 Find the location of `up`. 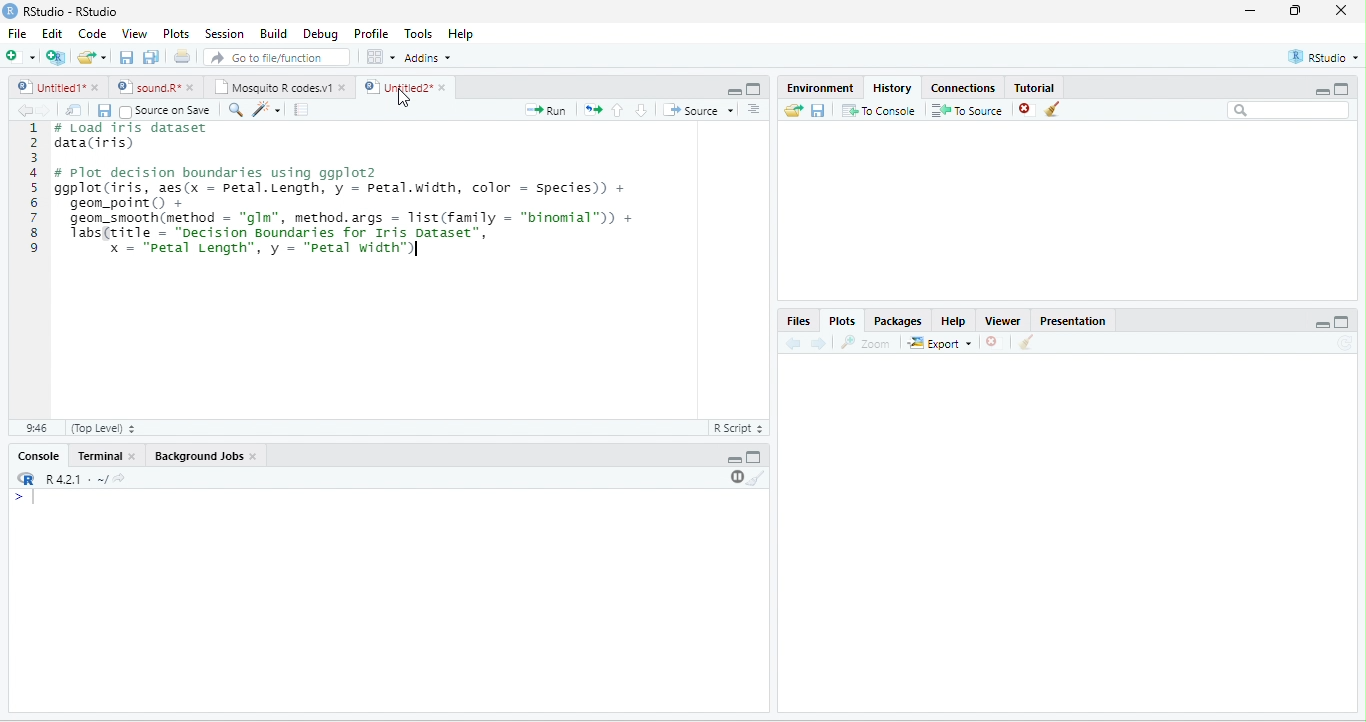

up is located at coordinates (618, 110).